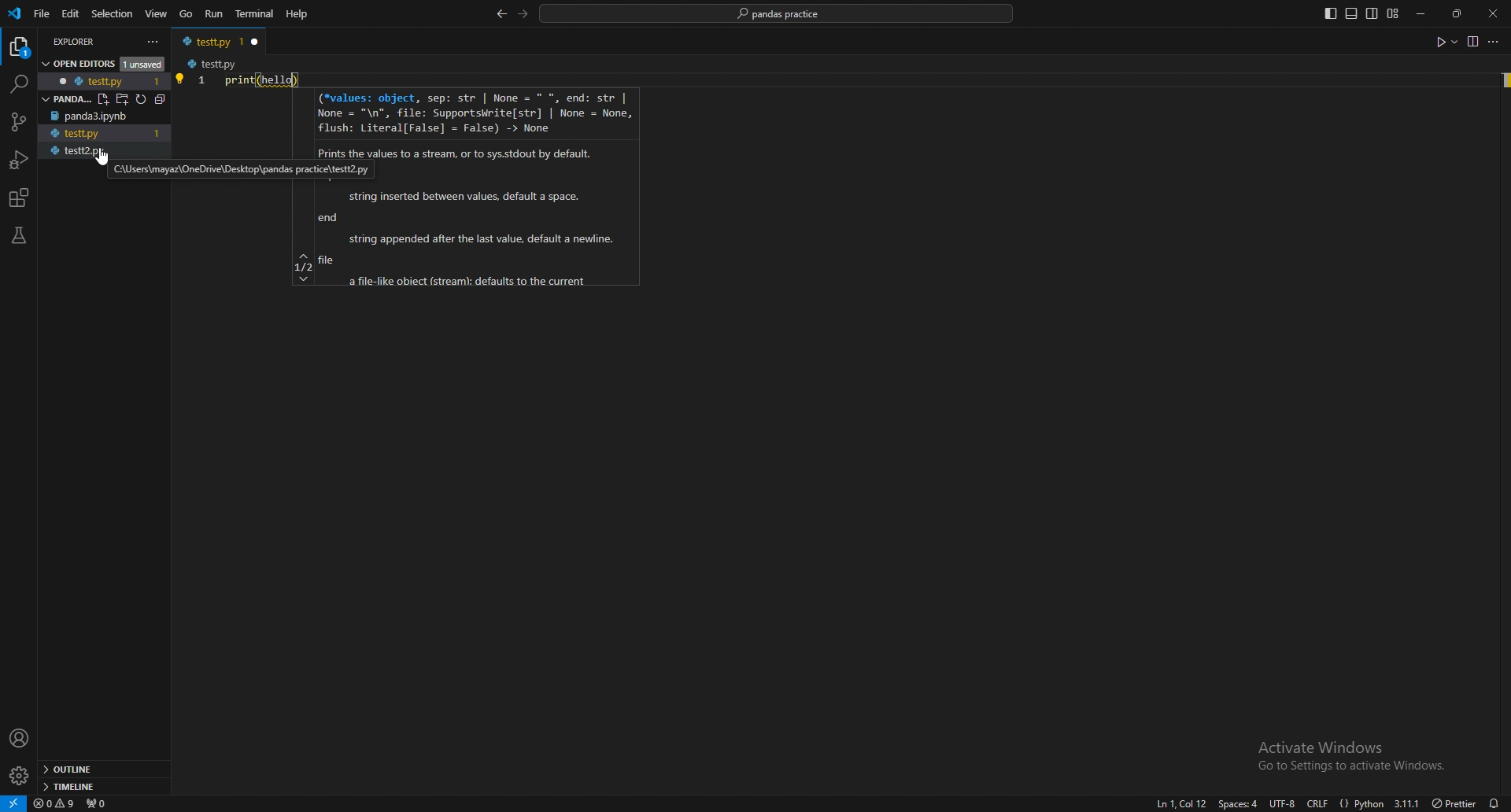 The height and width of the screenshot is (812, 1511). Describe the element at coordinates (216, 14) in the screenshot. I see `run` at that location.